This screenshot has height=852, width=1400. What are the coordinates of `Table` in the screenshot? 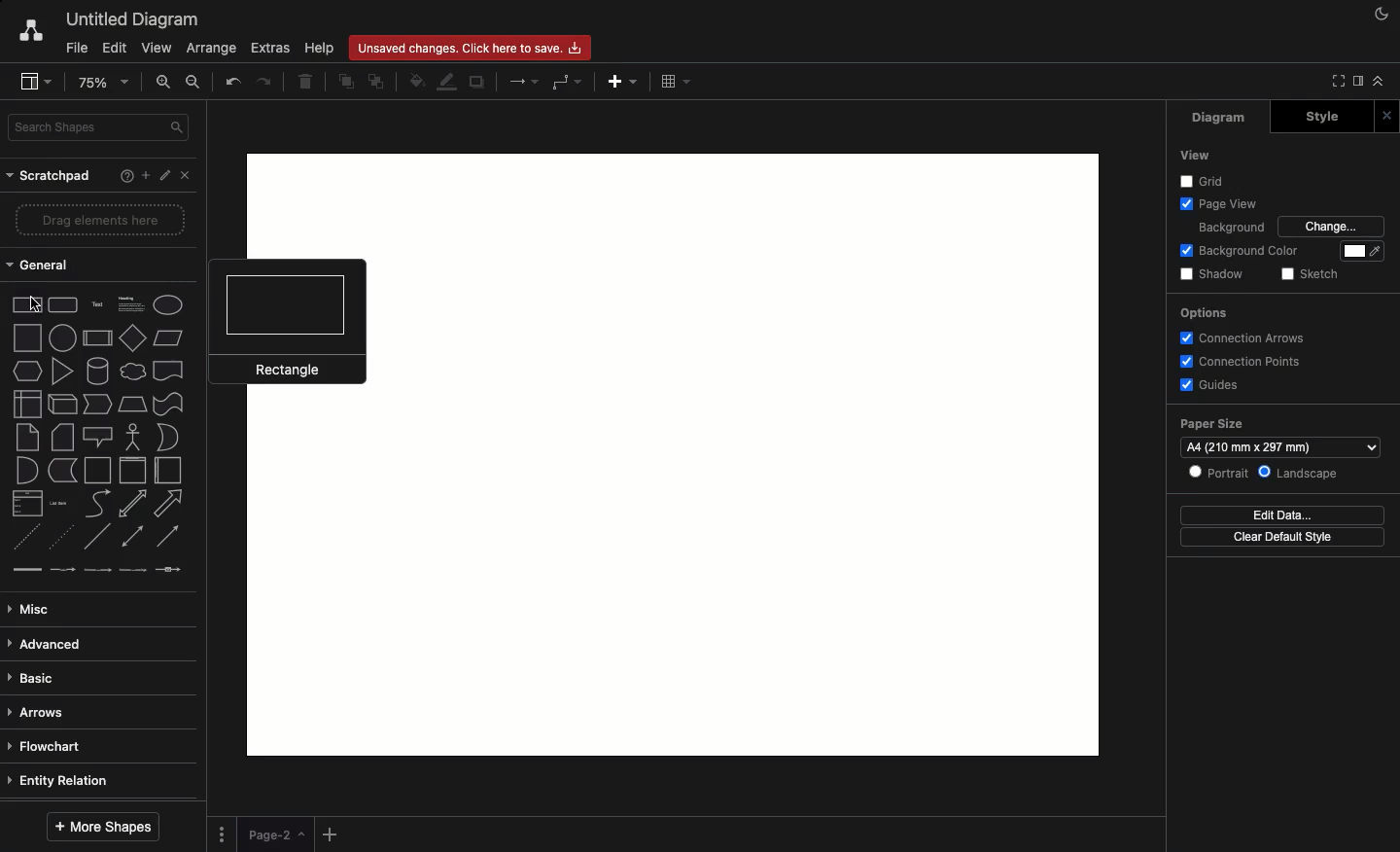 It's located at (680, 83).